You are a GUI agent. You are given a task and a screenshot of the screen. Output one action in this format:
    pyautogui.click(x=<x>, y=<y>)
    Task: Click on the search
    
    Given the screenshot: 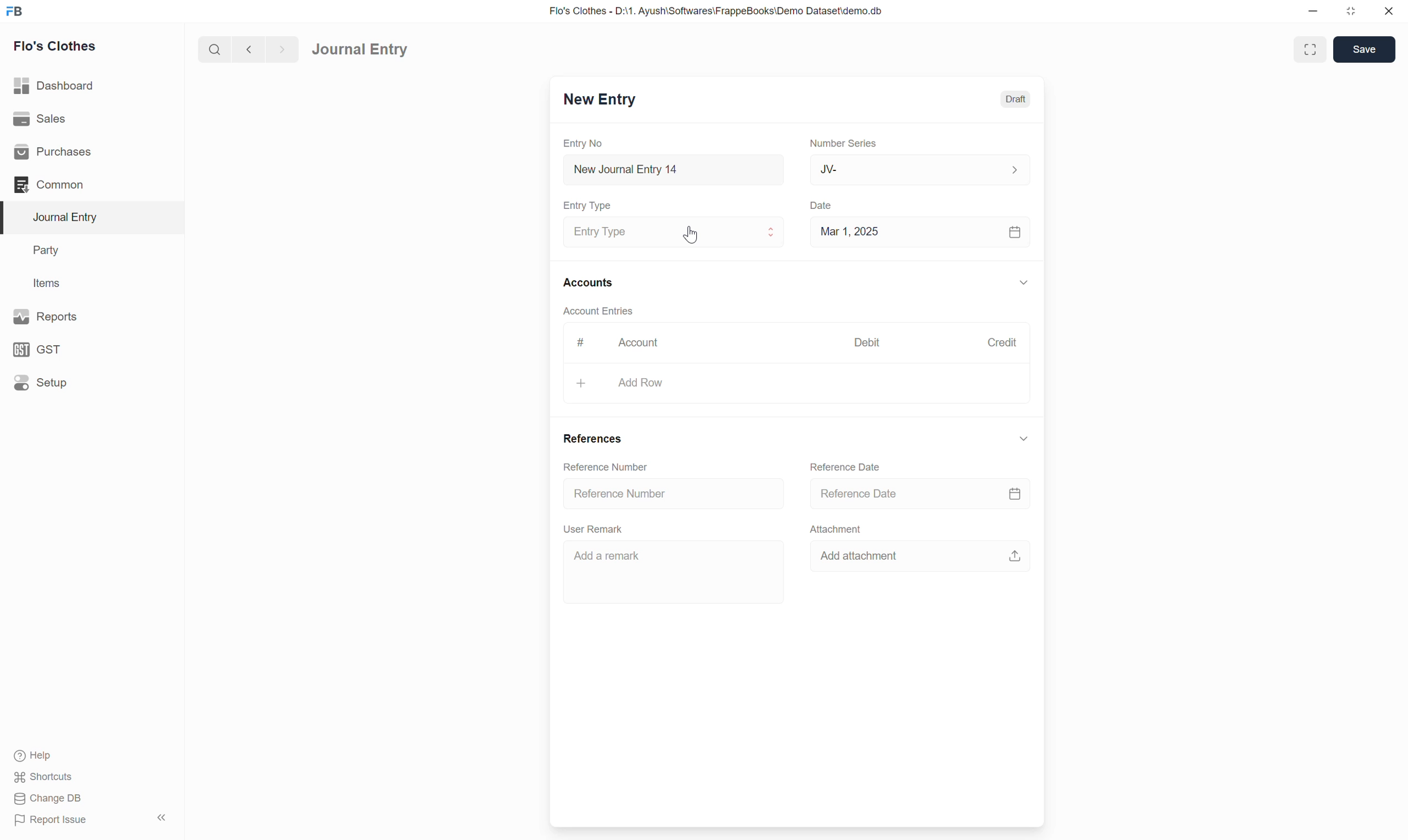 What is the action you would take?
    pyautogui.click(x=213, y=49)
    